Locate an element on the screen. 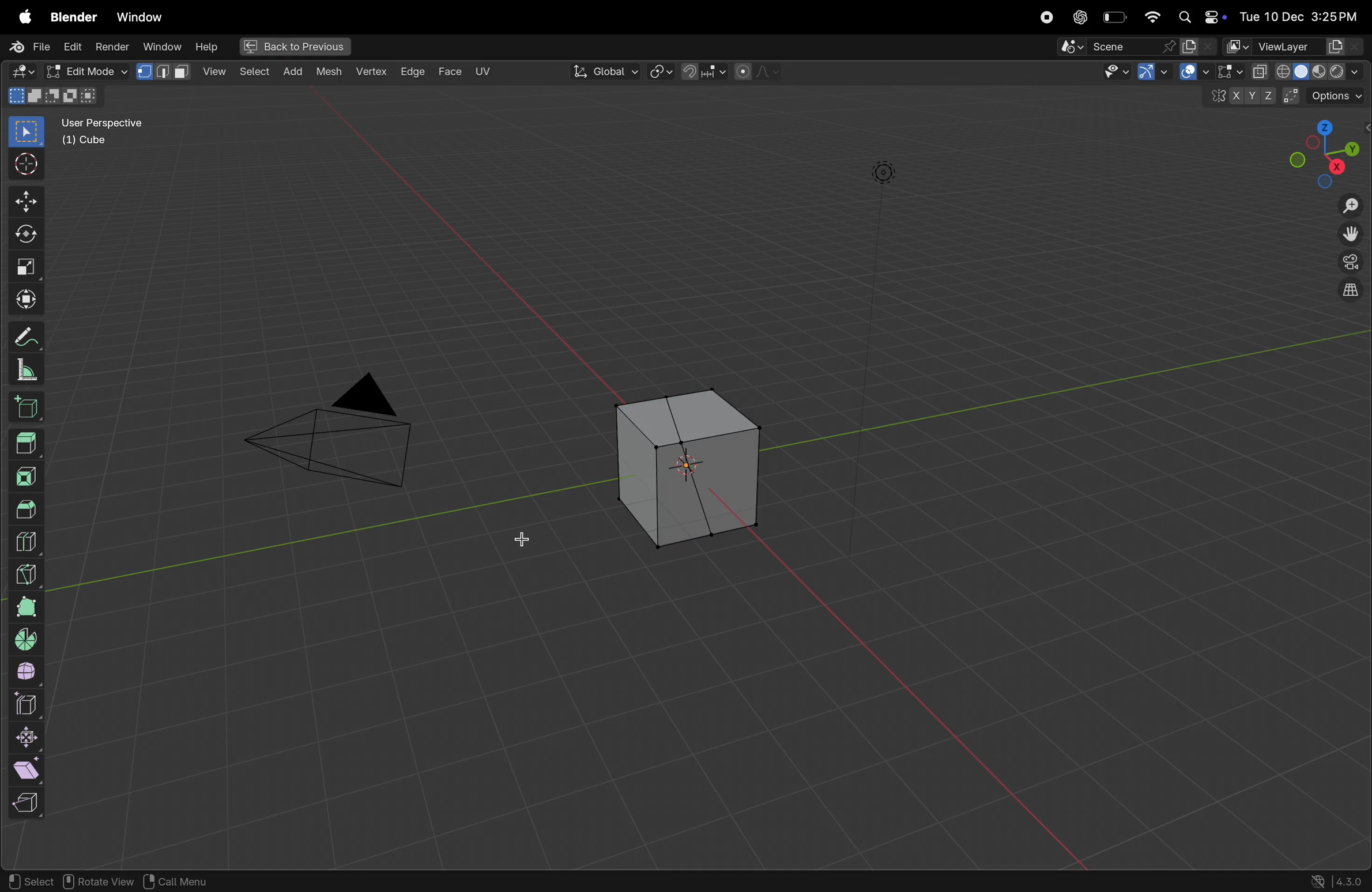  4.3.0 is located at coordinates (1352, 880).